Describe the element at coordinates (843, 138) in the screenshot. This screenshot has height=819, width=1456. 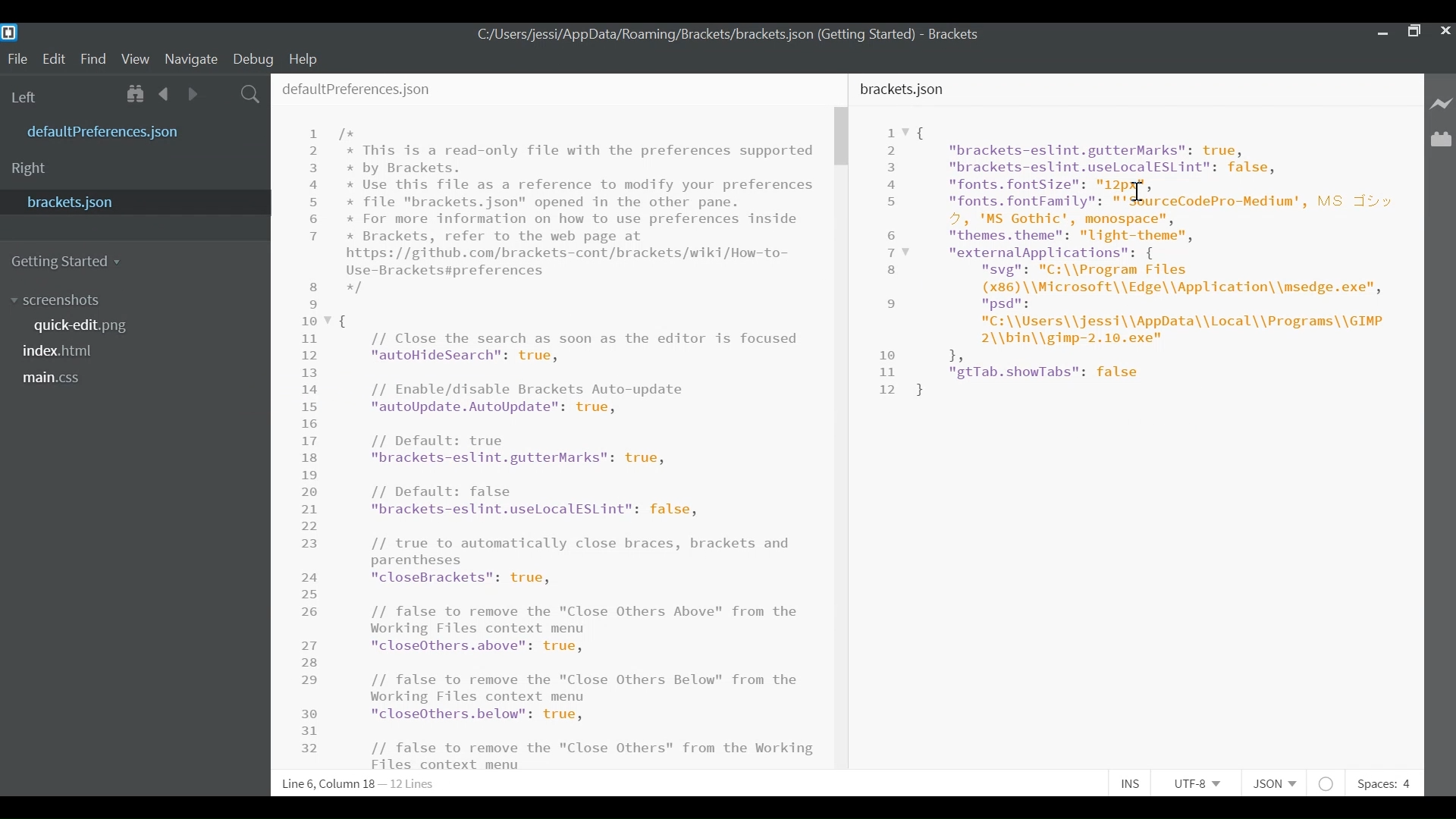
I see `Vertical Scroll bar` at that location.